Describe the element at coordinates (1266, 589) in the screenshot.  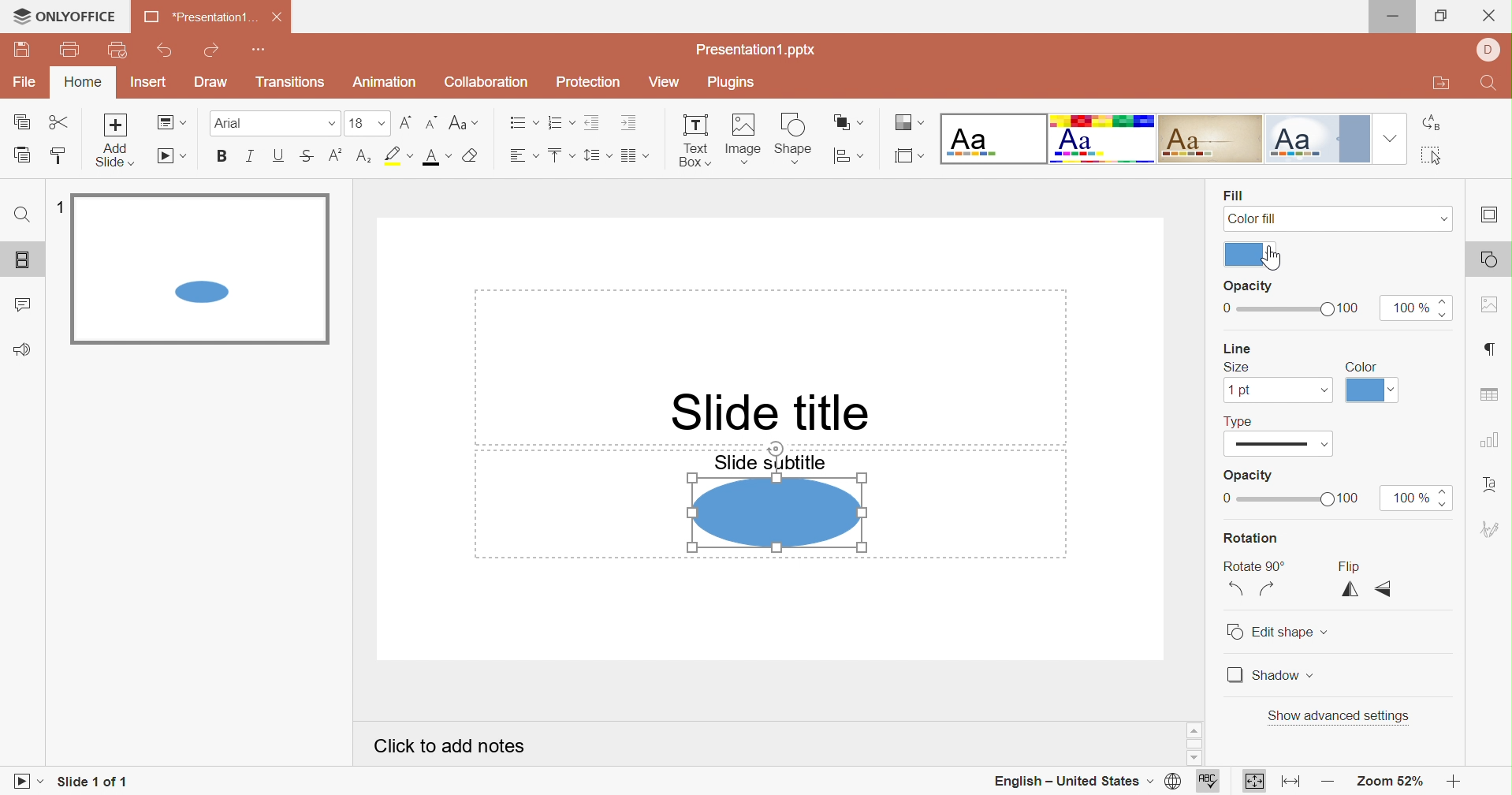
I see `Rotate 90° Clockwise` at that location.